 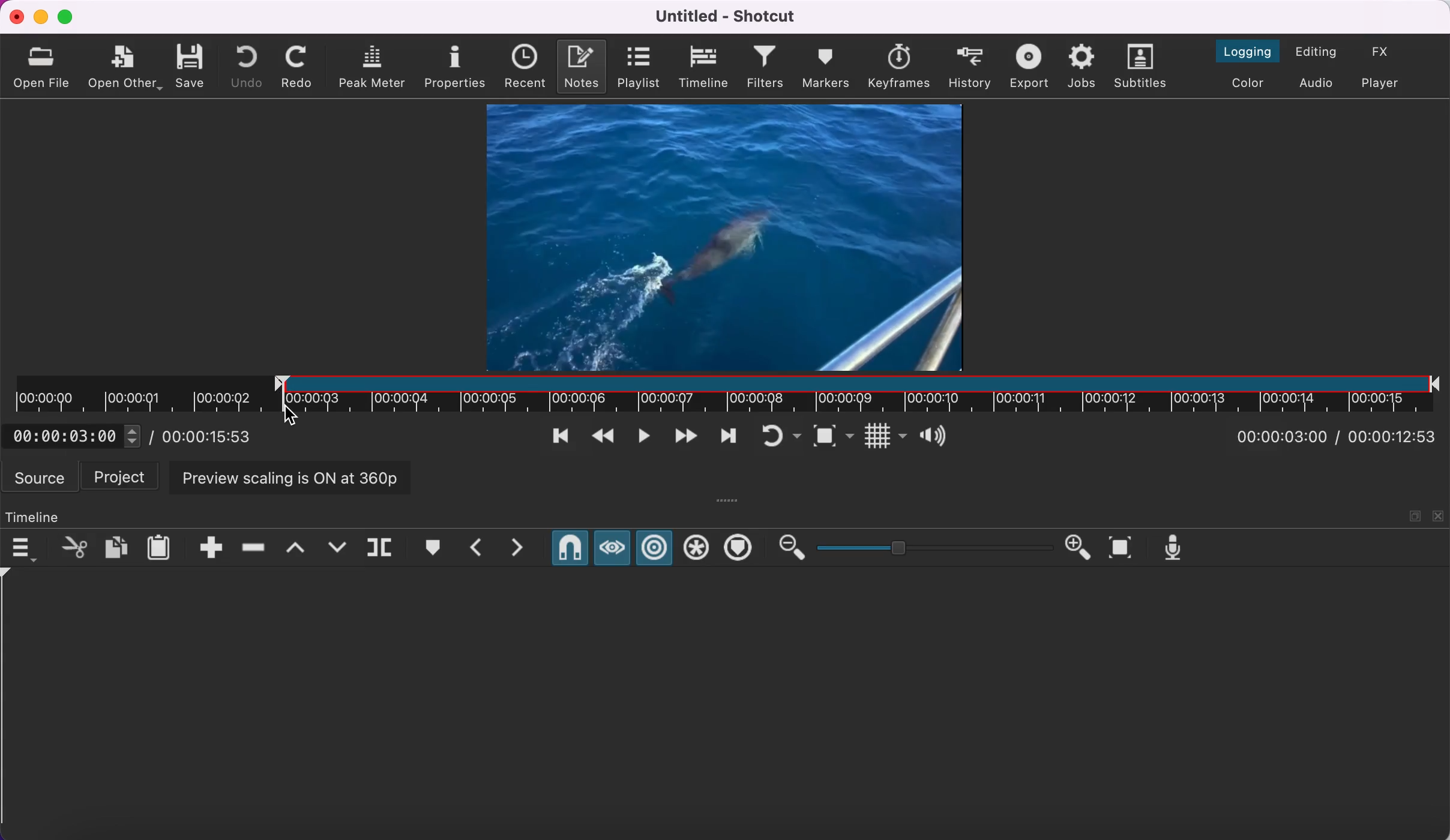 What do you see at coordinates (730, 499) in the screenshot?
I see `more` at bounding box center [730, 499].